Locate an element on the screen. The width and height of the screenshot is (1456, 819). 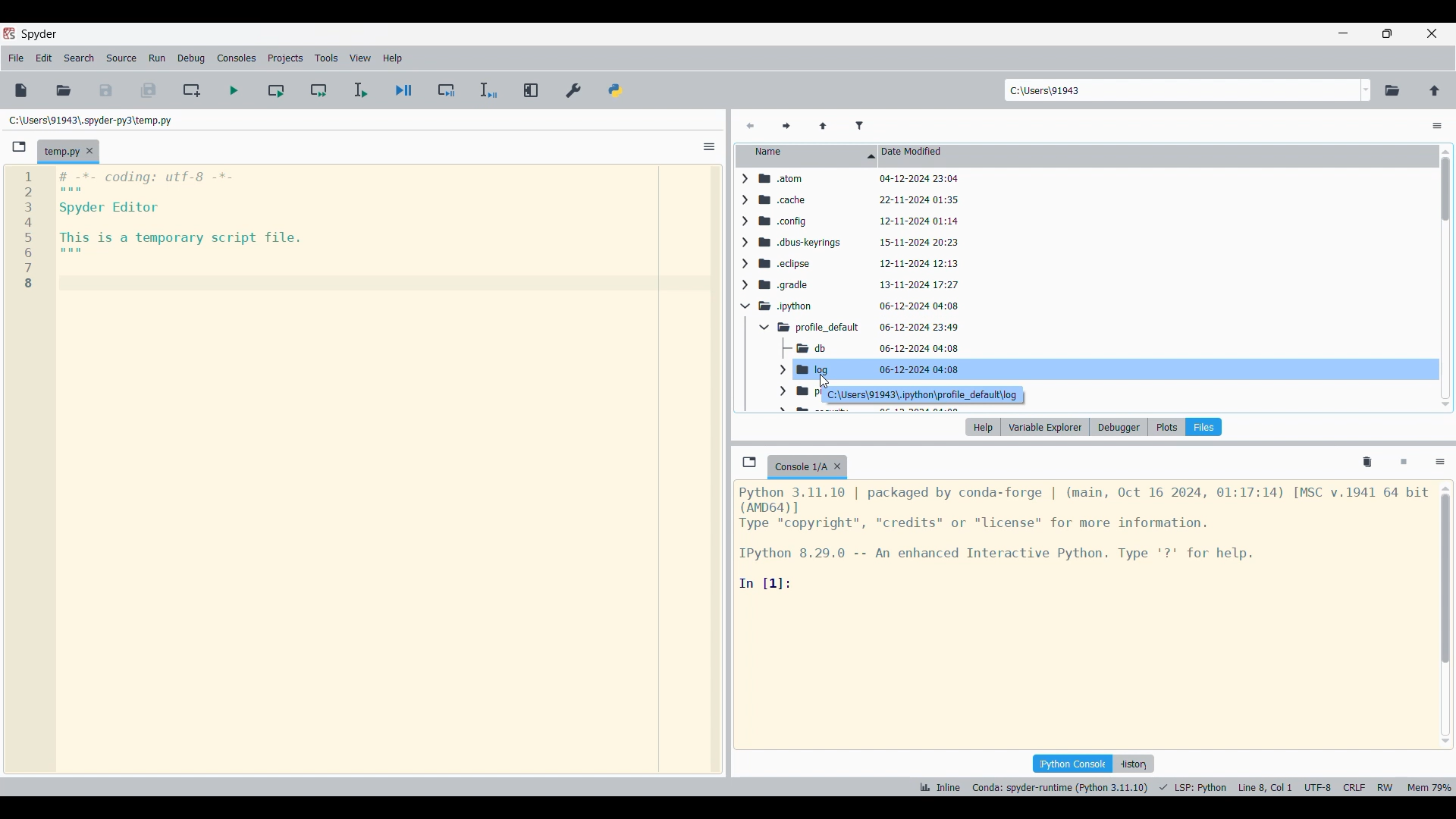
Tools menu is located at coordinates (327, 58).